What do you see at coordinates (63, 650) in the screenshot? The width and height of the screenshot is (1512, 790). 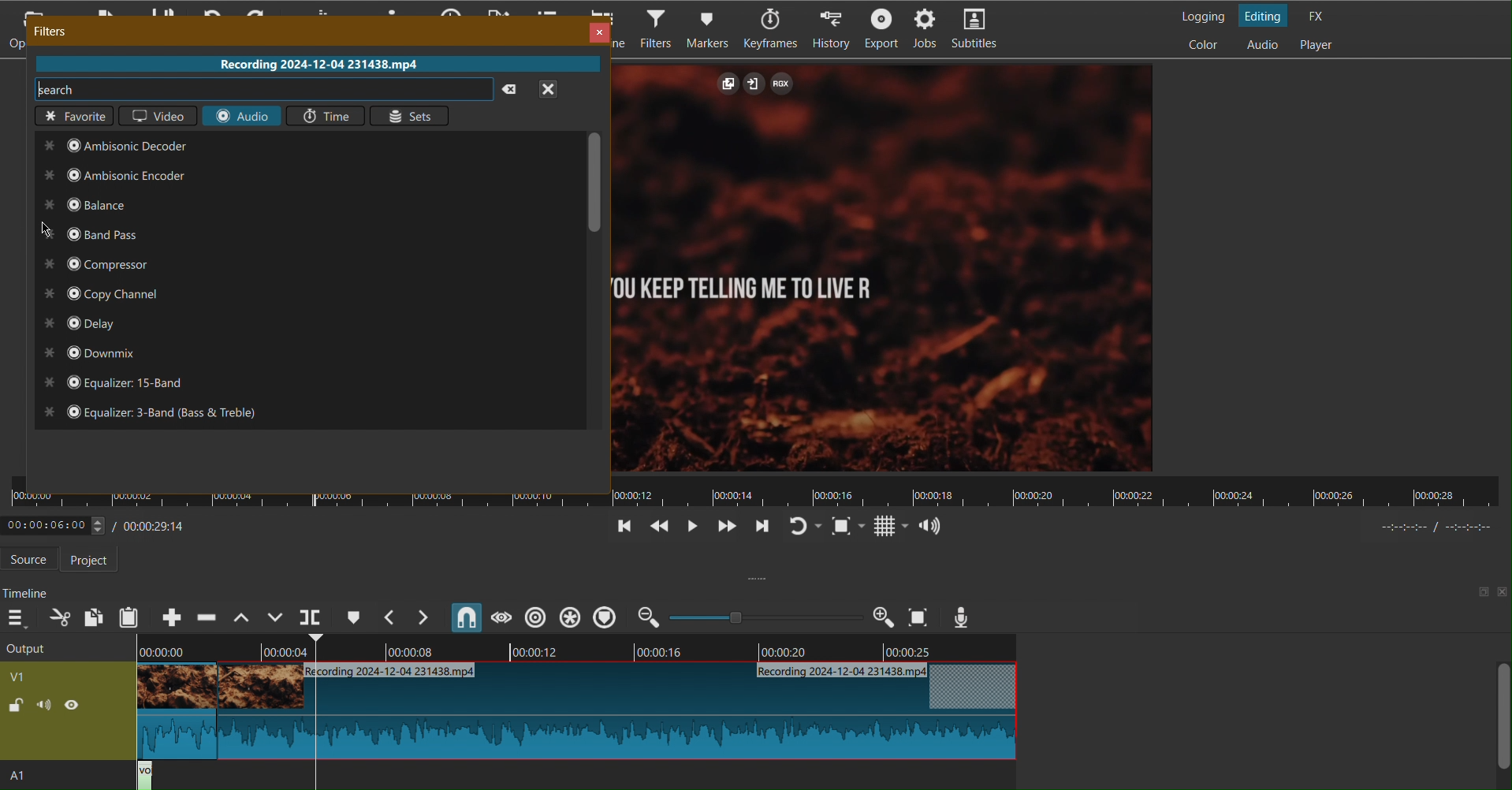 I see `Output` at bounding box center [63, 650].